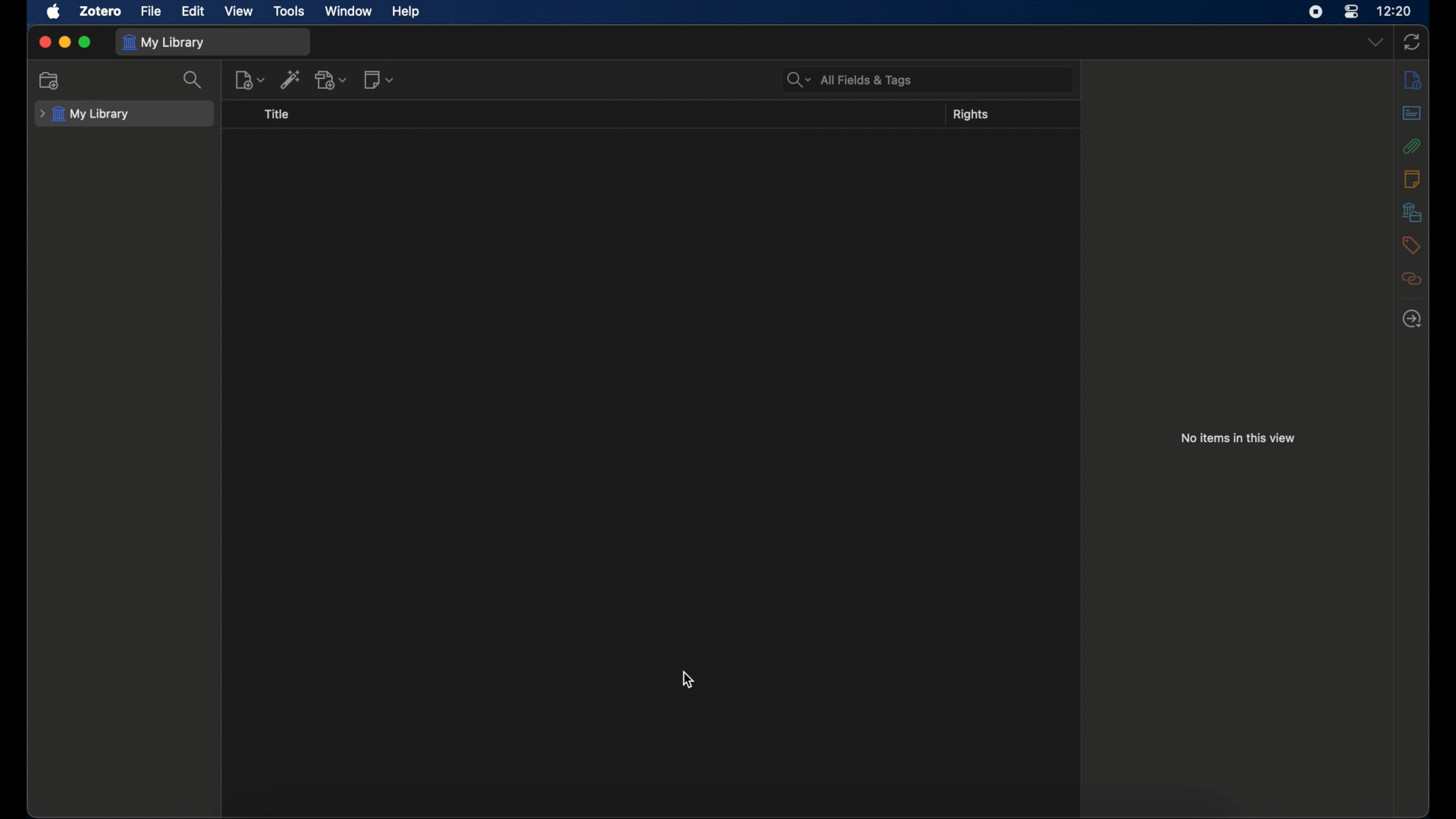 Image resolution: width=1456 pixels, height=819 pixels. I want to click on file, so click(152, 11).